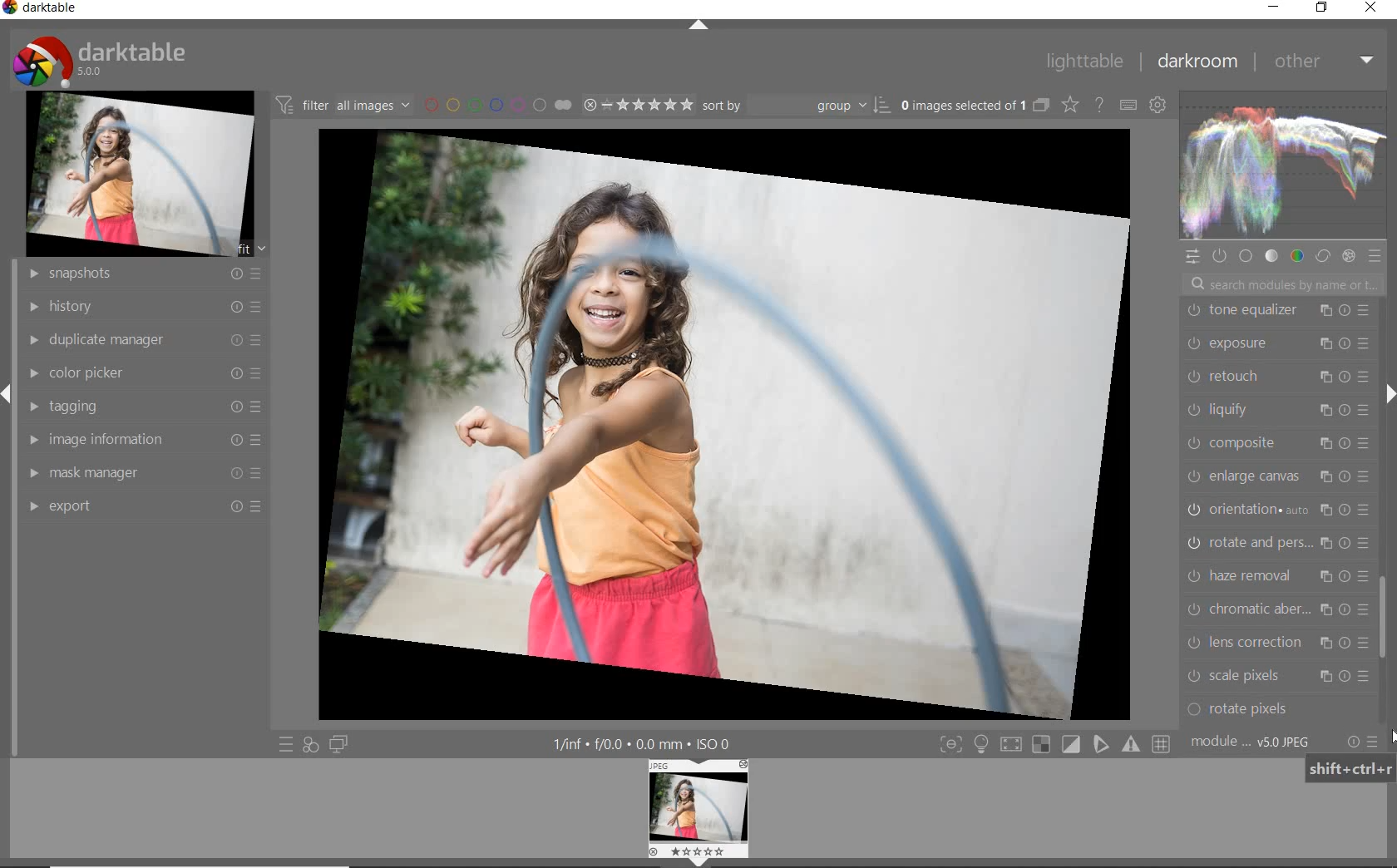 This screenshot has width=1397, height=868. I want to click on scrollbar, so click(1382, 616).